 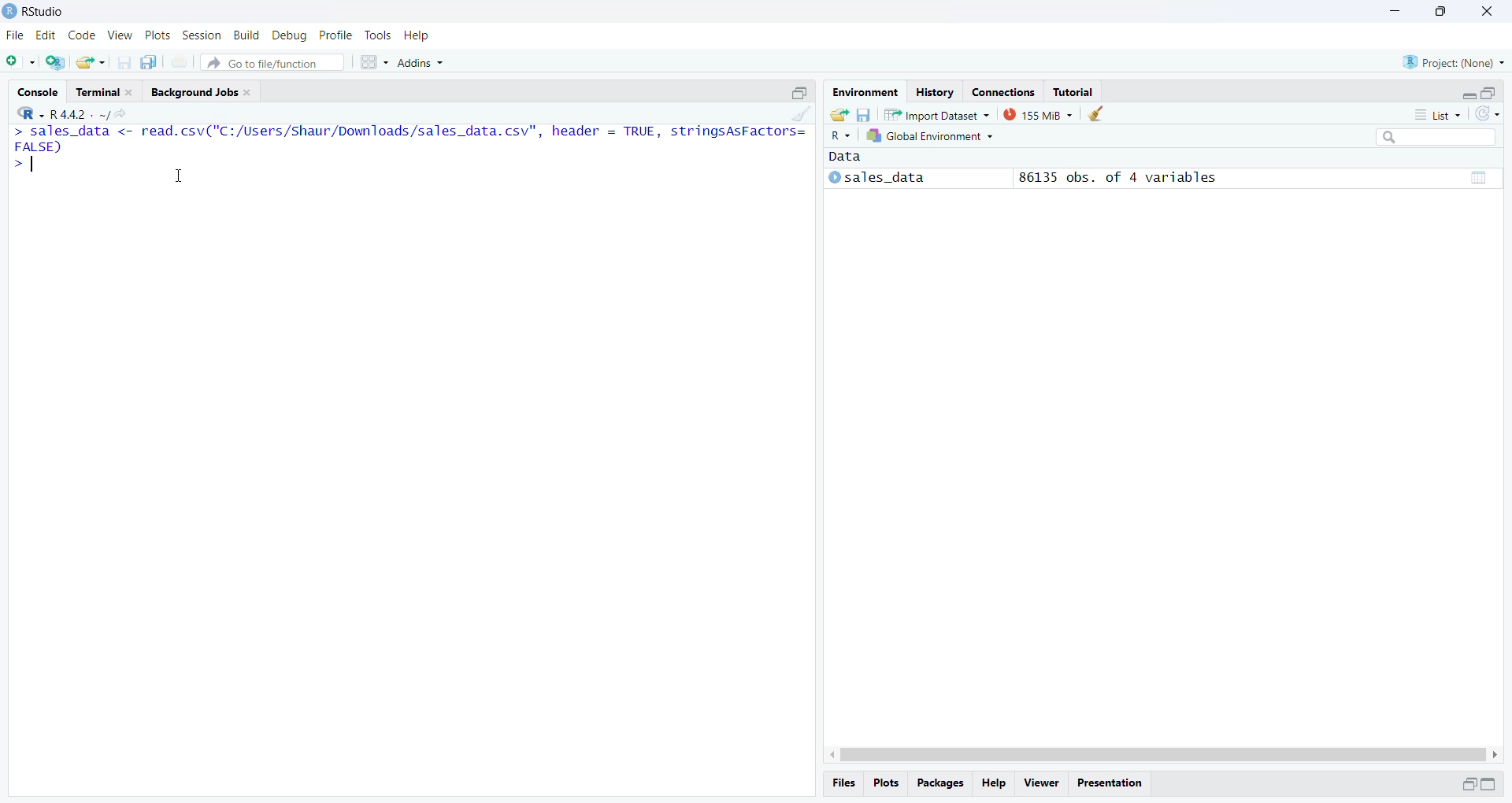 What do you see at coordinates (993, 784) in the screenshot?
I see `Help` at bounding box center [993, 784].